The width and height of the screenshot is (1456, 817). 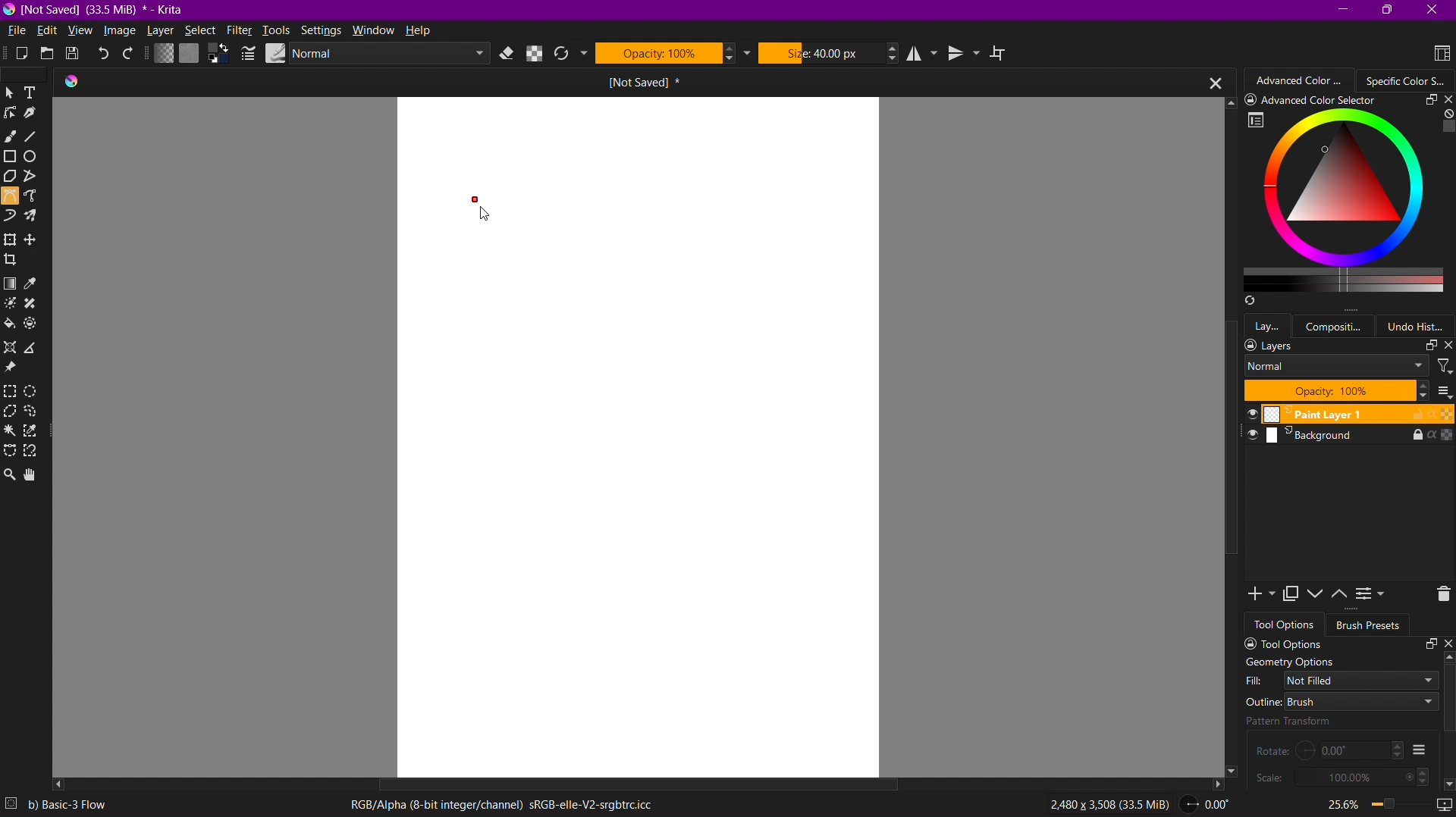 What do you see at coordinates (1343, 438) in the screenshot?
I see `Background ` at bounding box center [1343, 438].